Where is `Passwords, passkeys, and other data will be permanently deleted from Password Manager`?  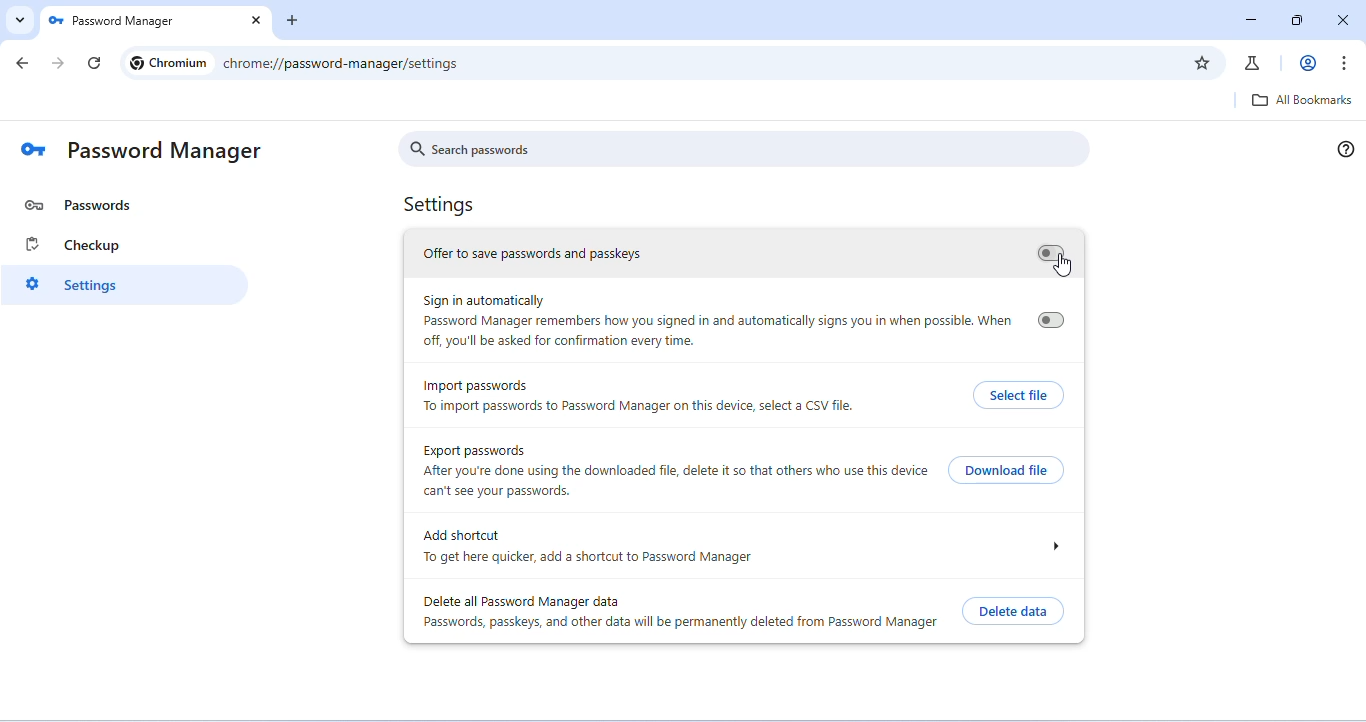 Passwords, passkeys, and other data will be permanently deleted from Password Manager is located at coordinates (681, 622).